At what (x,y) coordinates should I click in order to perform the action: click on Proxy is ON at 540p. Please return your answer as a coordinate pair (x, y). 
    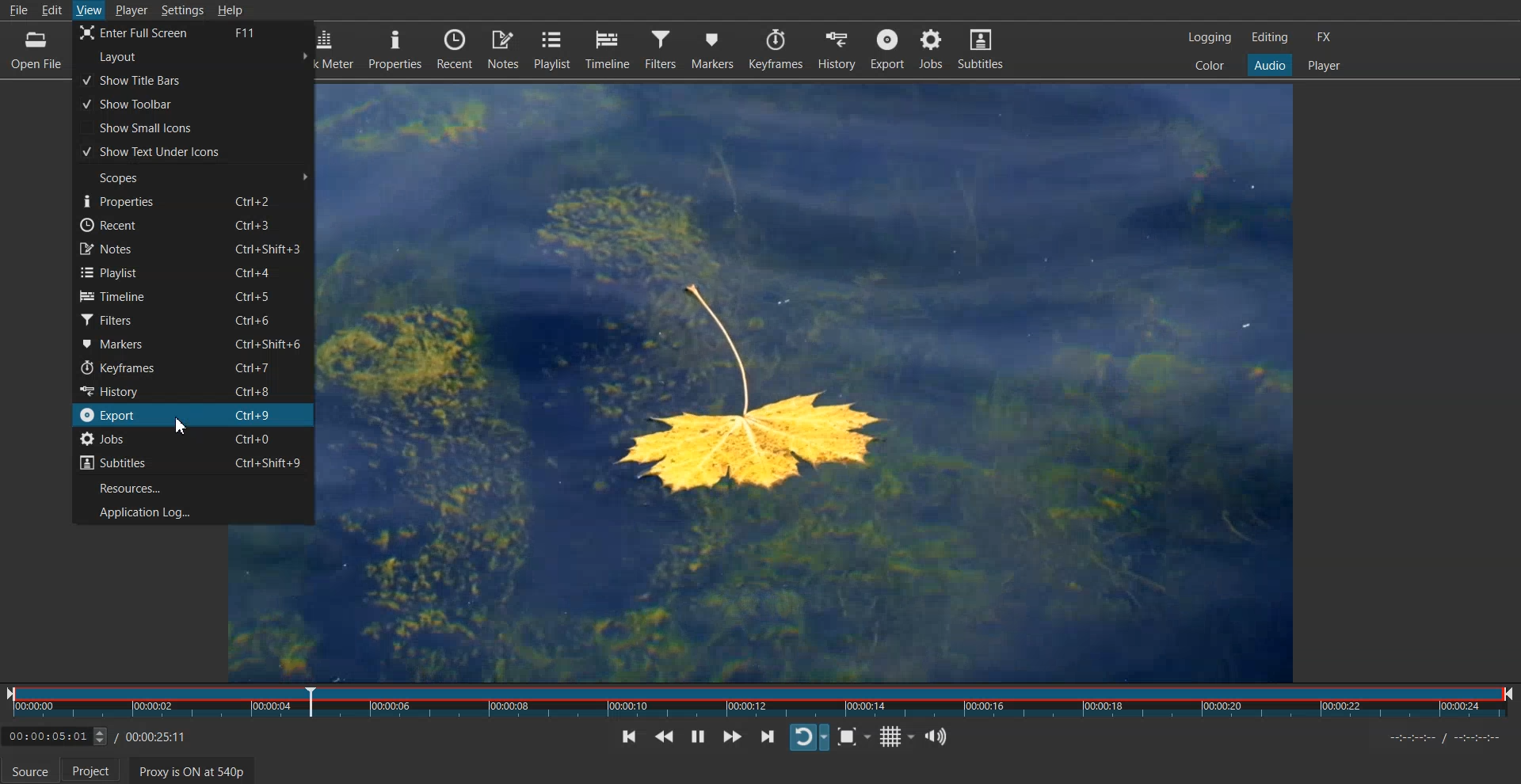
    Looking at the image, I should click on (193, 771).